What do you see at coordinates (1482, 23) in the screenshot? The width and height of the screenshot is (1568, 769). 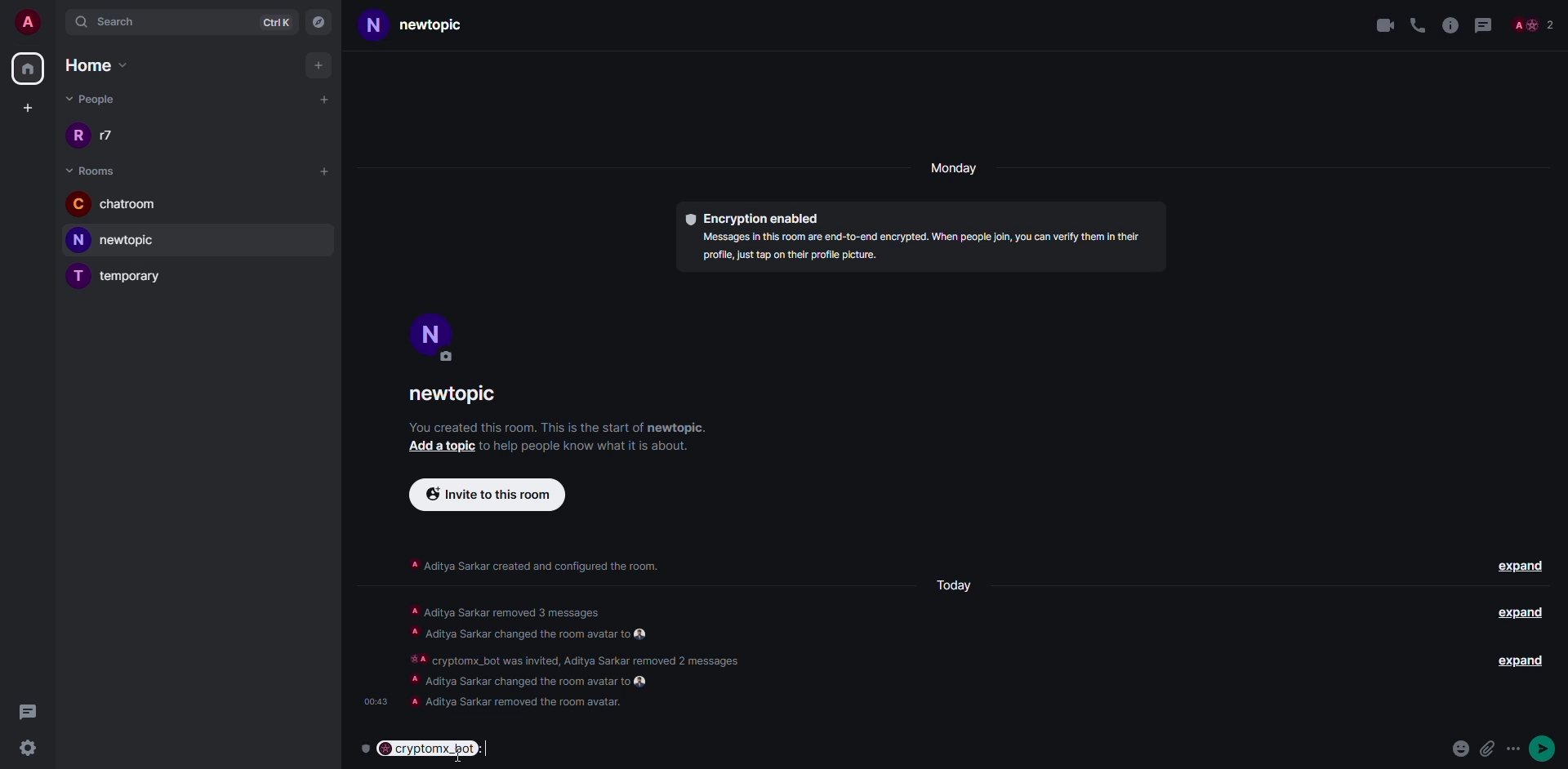 I see `threads` at bounding box center [1482, 23].